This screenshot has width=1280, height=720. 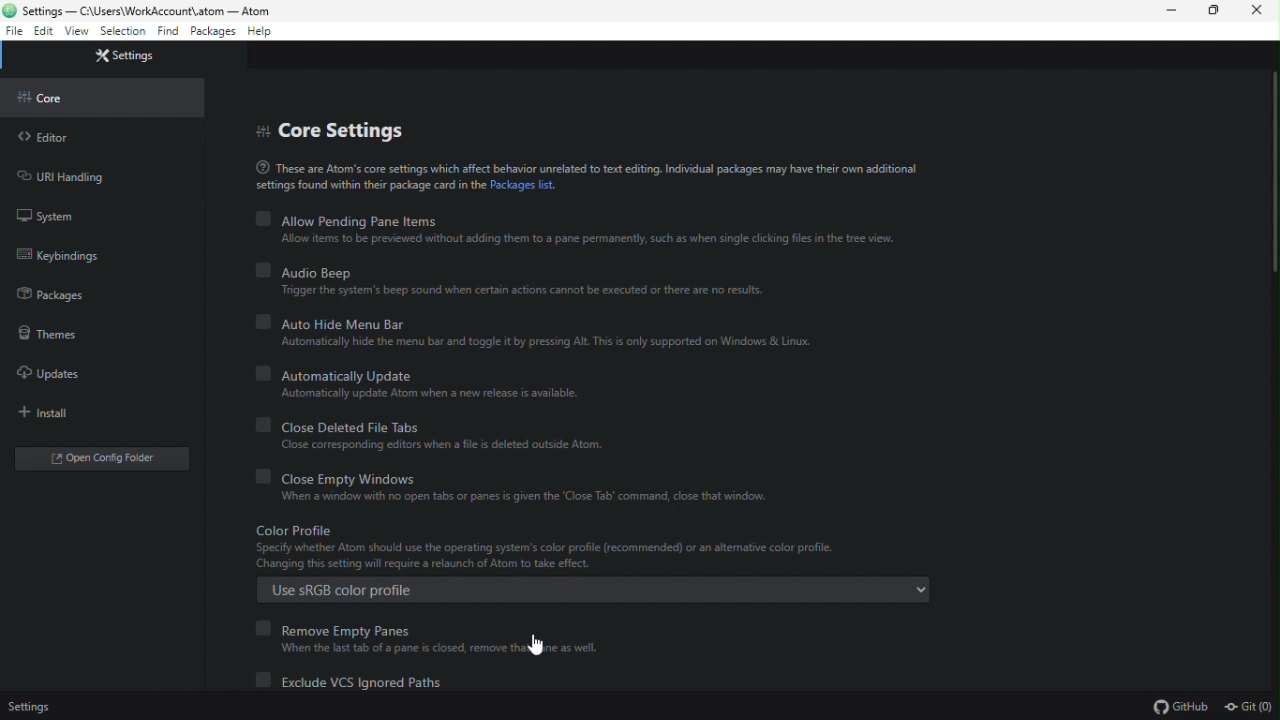 What do you see at coordinates (49, 138) in the screenshot?
I see `editor` at bounding box center [49, 138].